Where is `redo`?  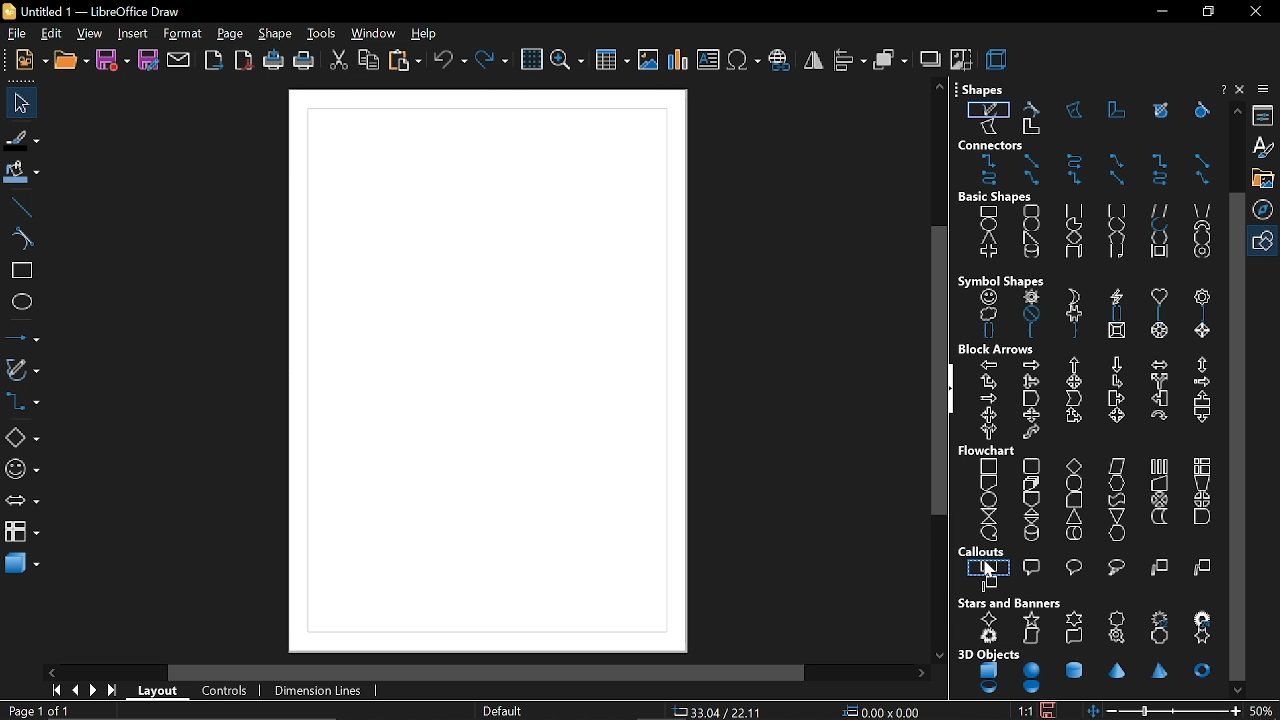
redo is located at coordinates (493, 61).